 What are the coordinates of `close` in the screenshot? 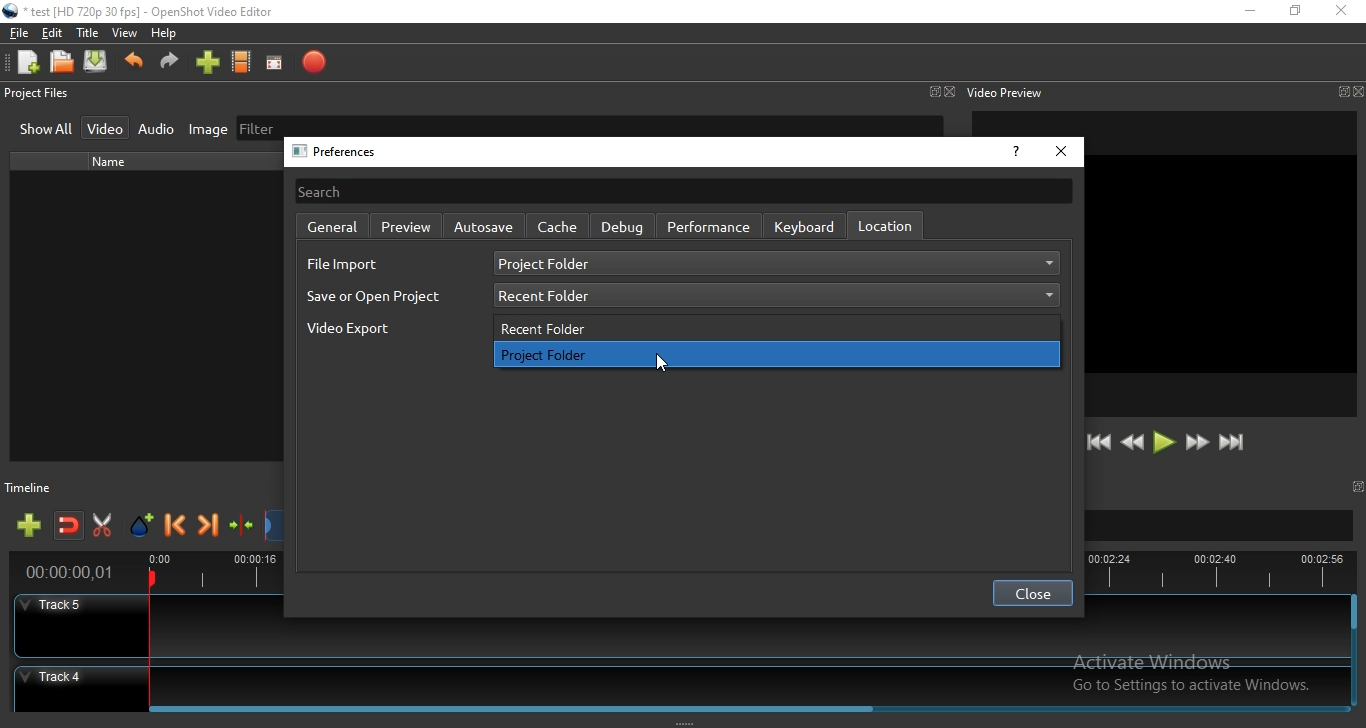 It's located at (1032, 594).